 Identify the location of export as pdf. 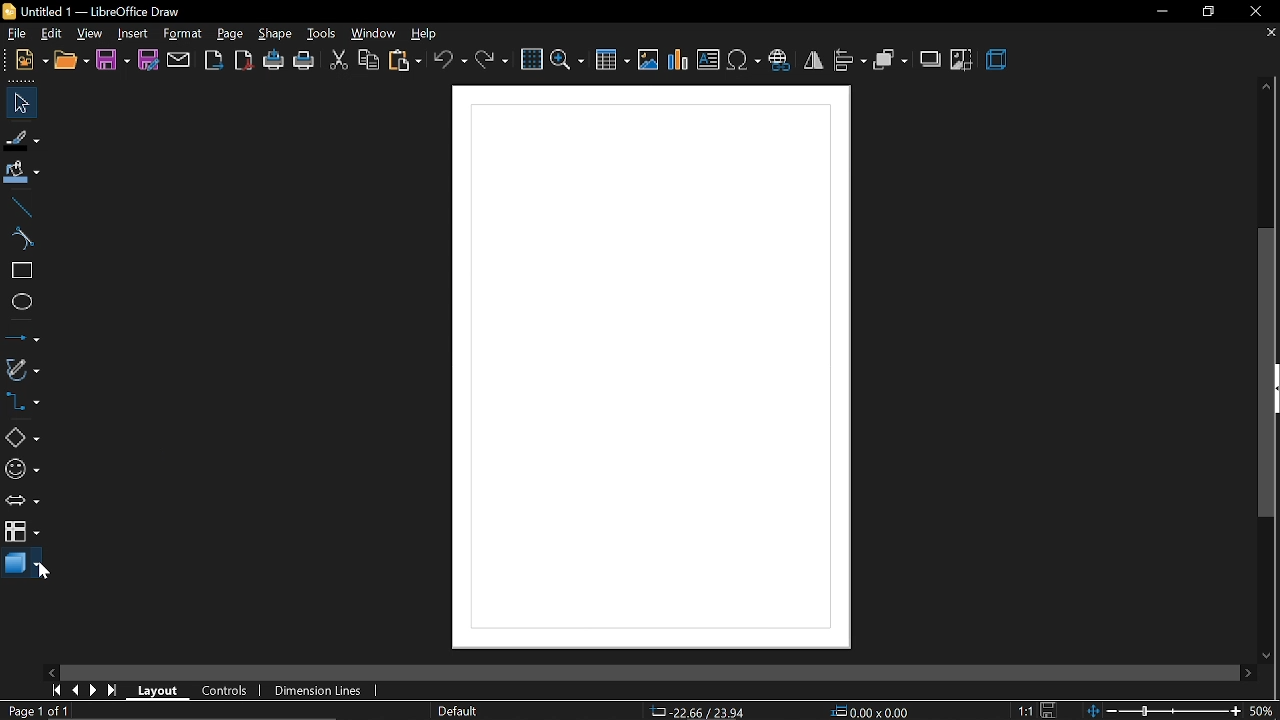
(242, 61).